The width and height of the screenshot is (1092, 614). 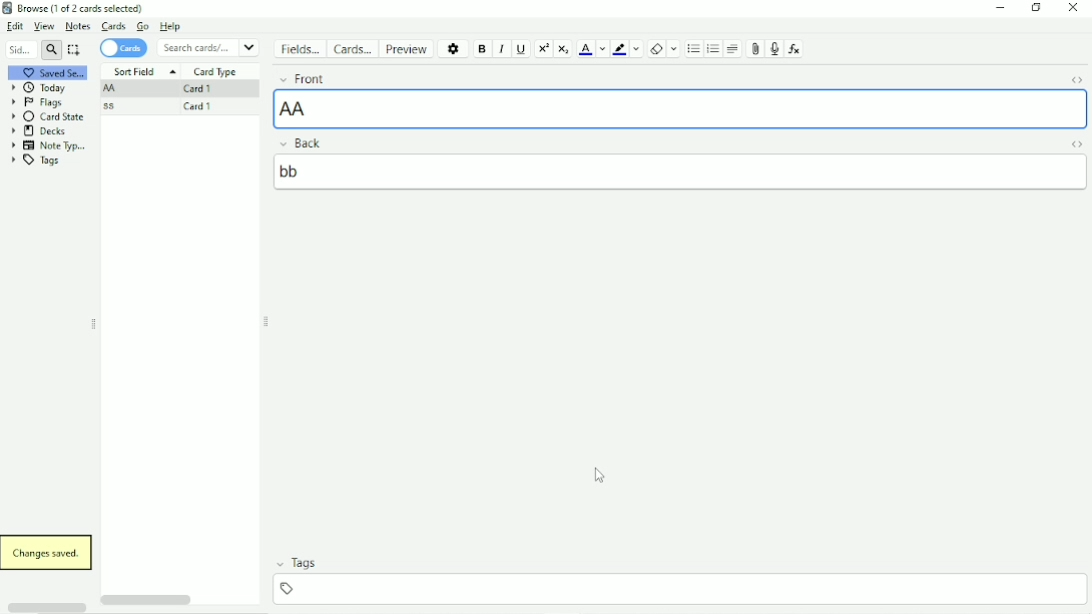 I want to click on Card 1, so click(x=204, y=108).